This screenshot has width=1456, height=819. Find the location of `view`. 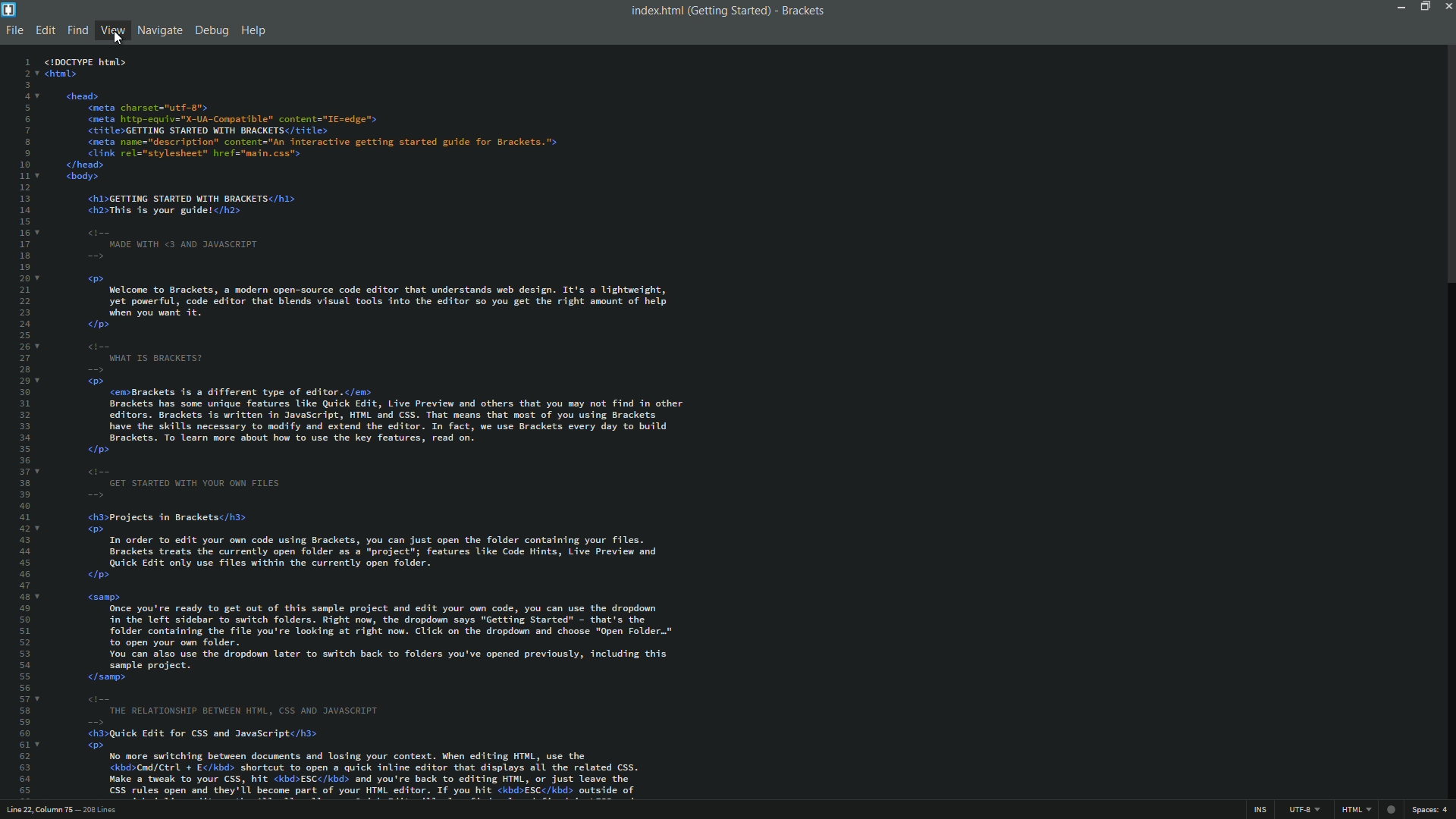

view is located at coordinates (112, 30).